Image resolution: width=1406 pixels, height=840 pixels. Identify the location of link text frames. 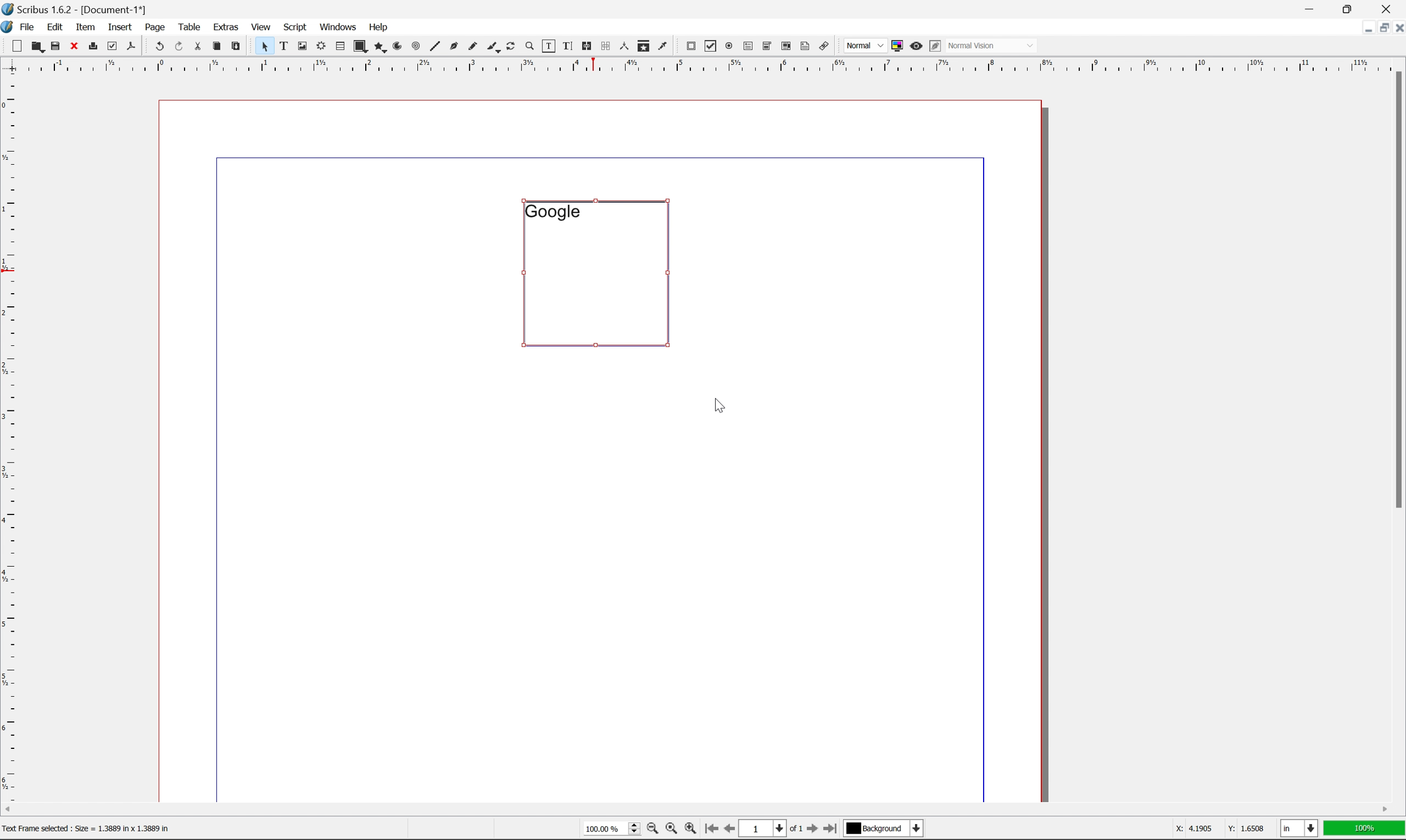
(585, 46).